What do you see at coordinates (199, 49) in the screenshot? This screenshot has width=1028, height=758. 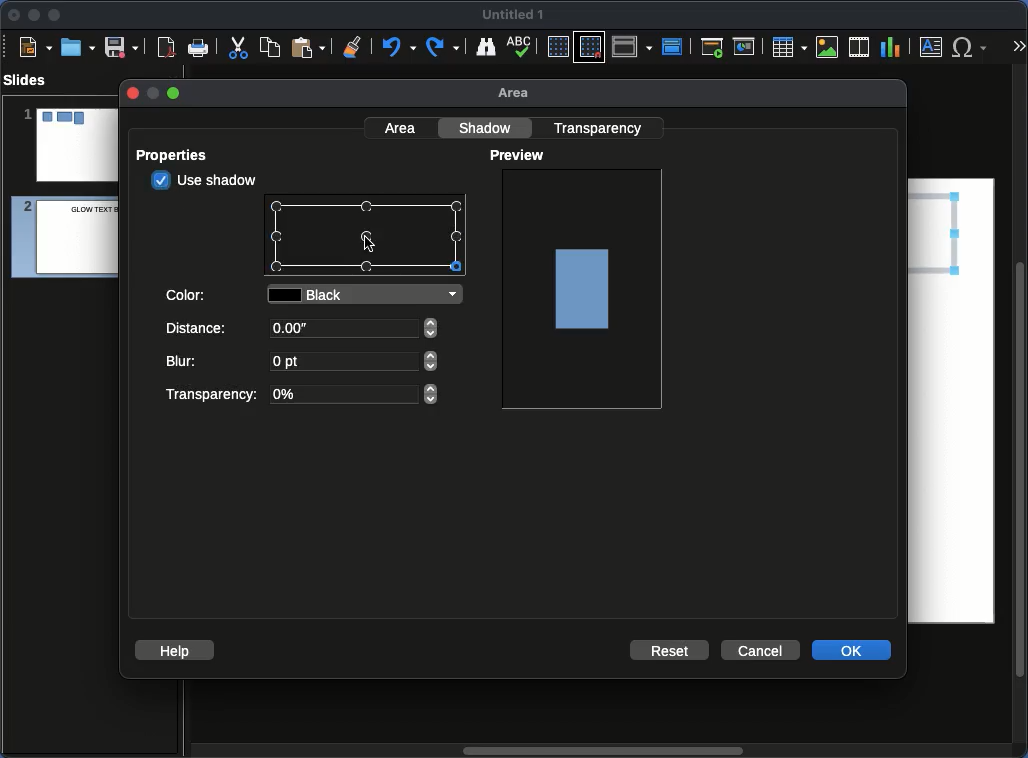 I see `Print` at bounding box center [199, 49].